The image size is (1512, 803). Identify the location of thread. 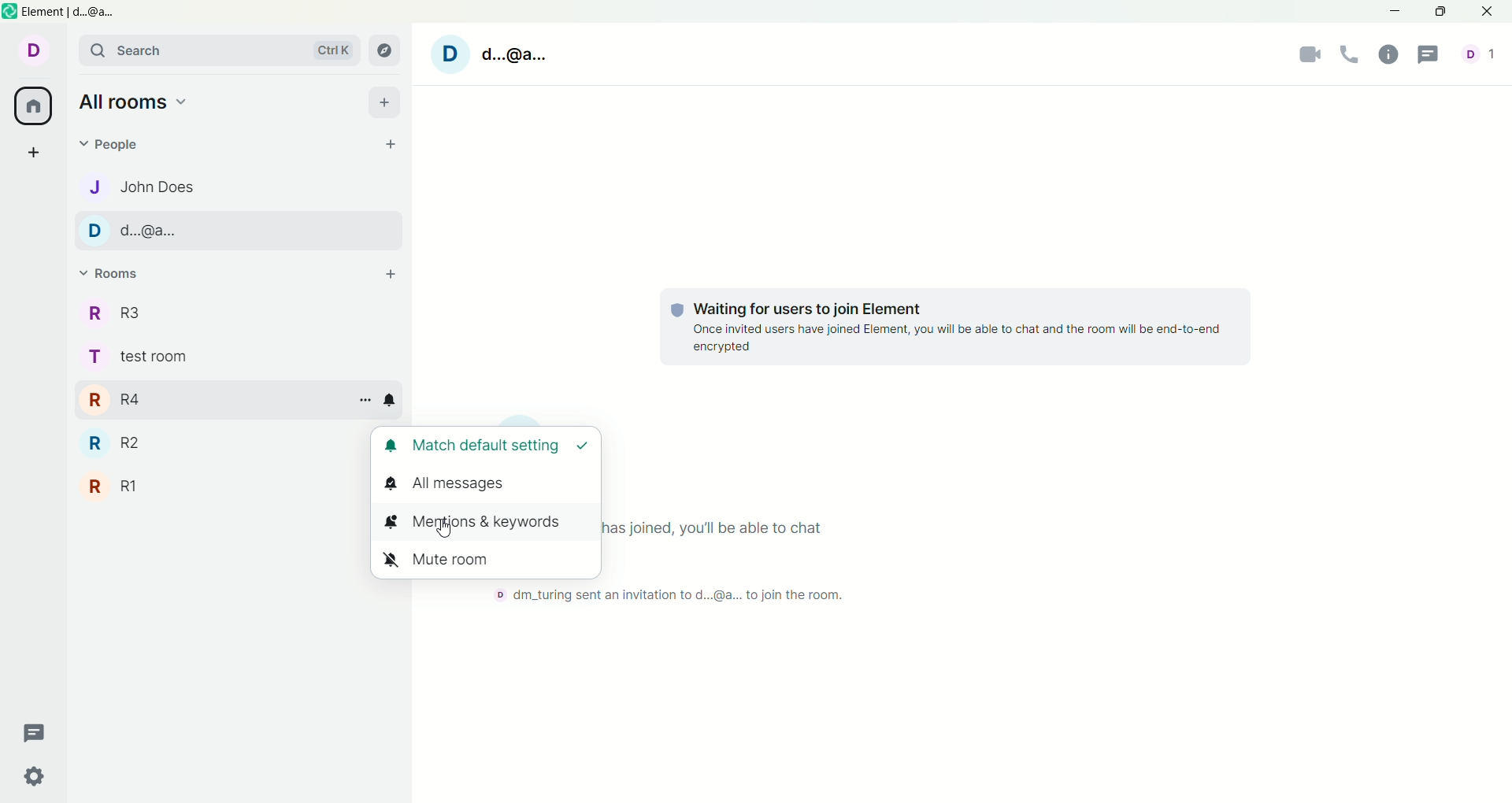
(35, 732).